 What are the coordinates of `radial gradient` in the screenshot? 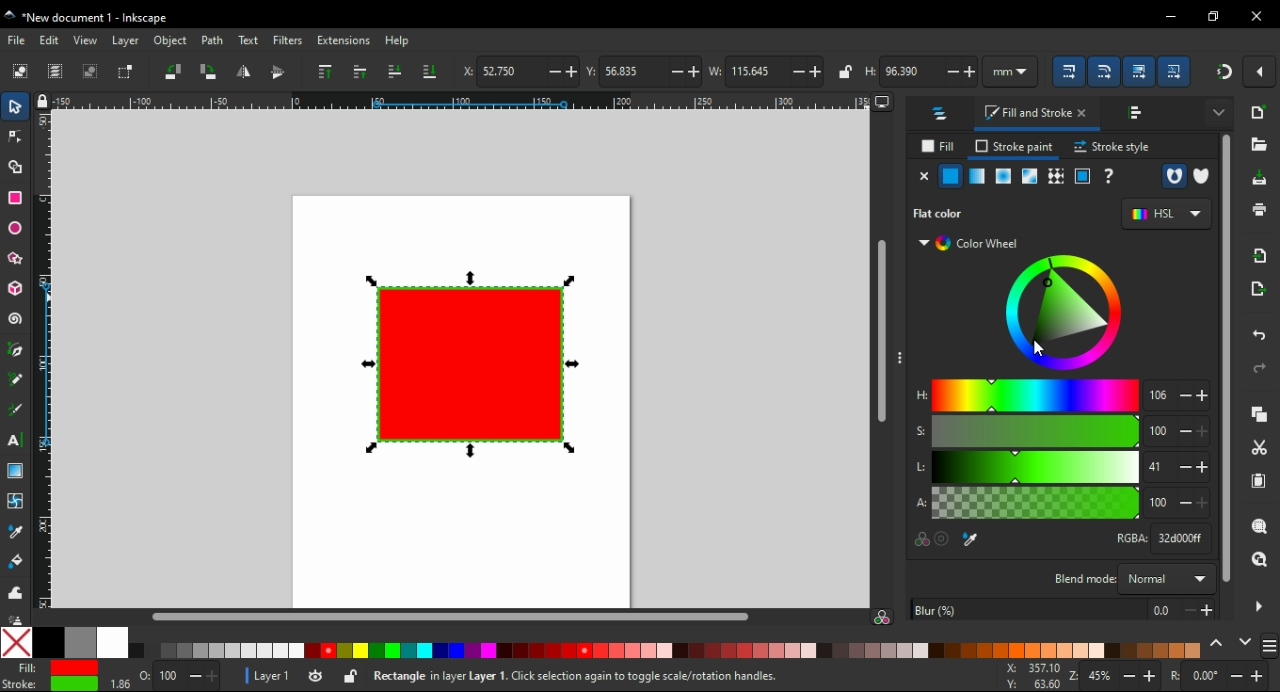 It's located at (1003, 176).